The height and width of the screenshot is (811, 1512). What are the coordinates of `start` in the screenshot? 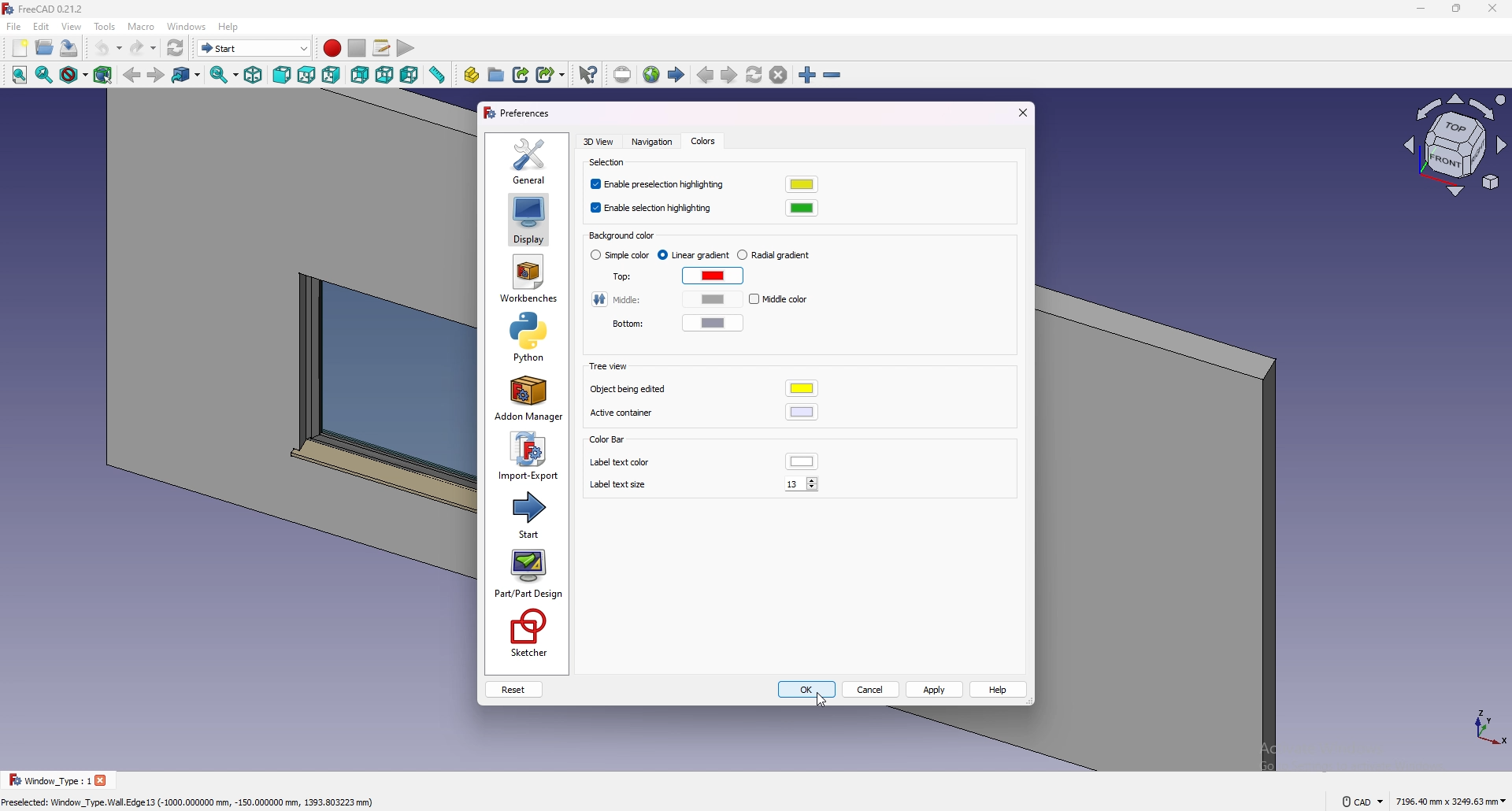 It's located at (530, 513).